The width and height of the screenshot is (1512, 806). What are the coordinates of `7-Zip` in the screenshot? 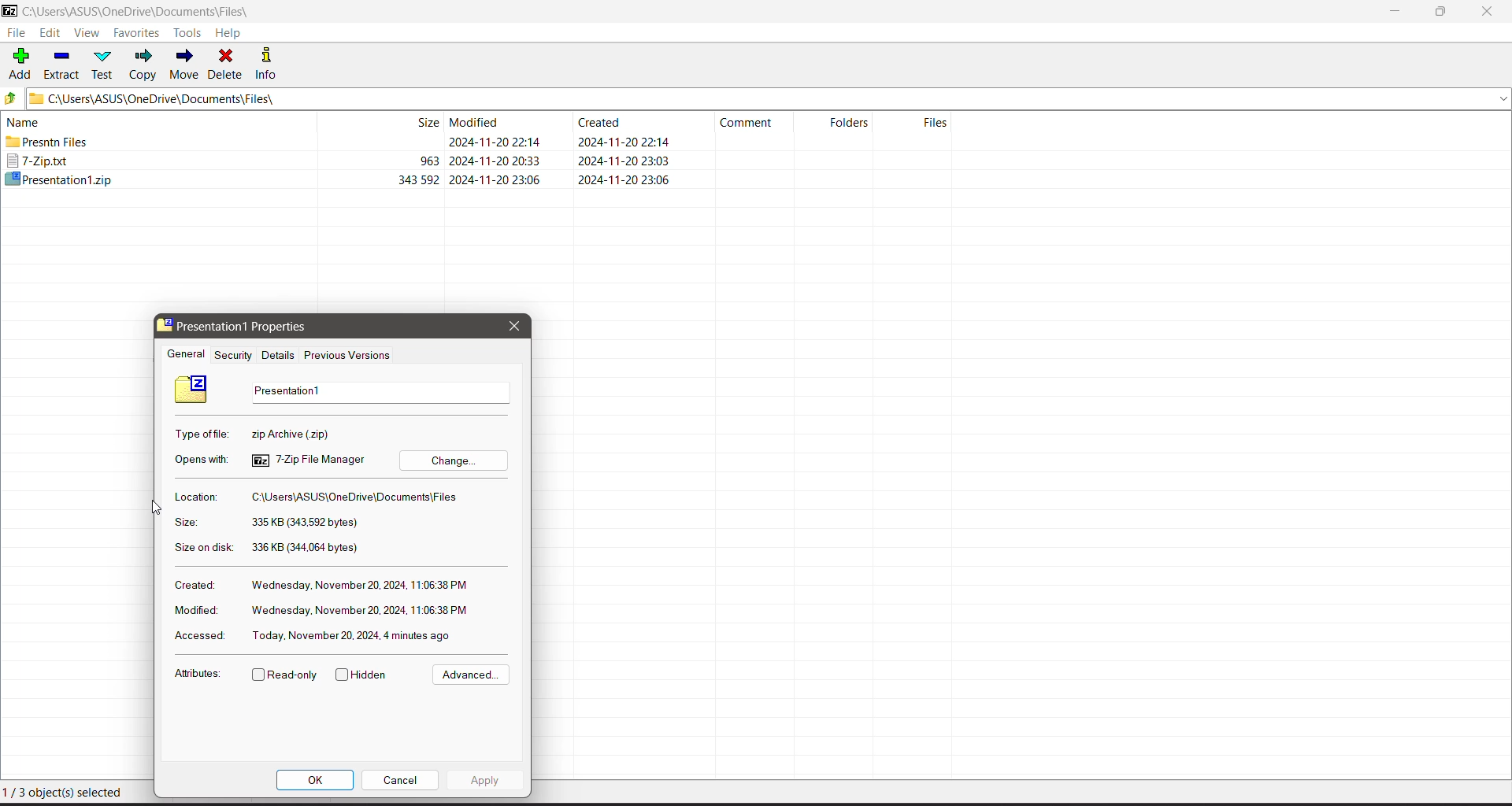 It's located at (342, 162).